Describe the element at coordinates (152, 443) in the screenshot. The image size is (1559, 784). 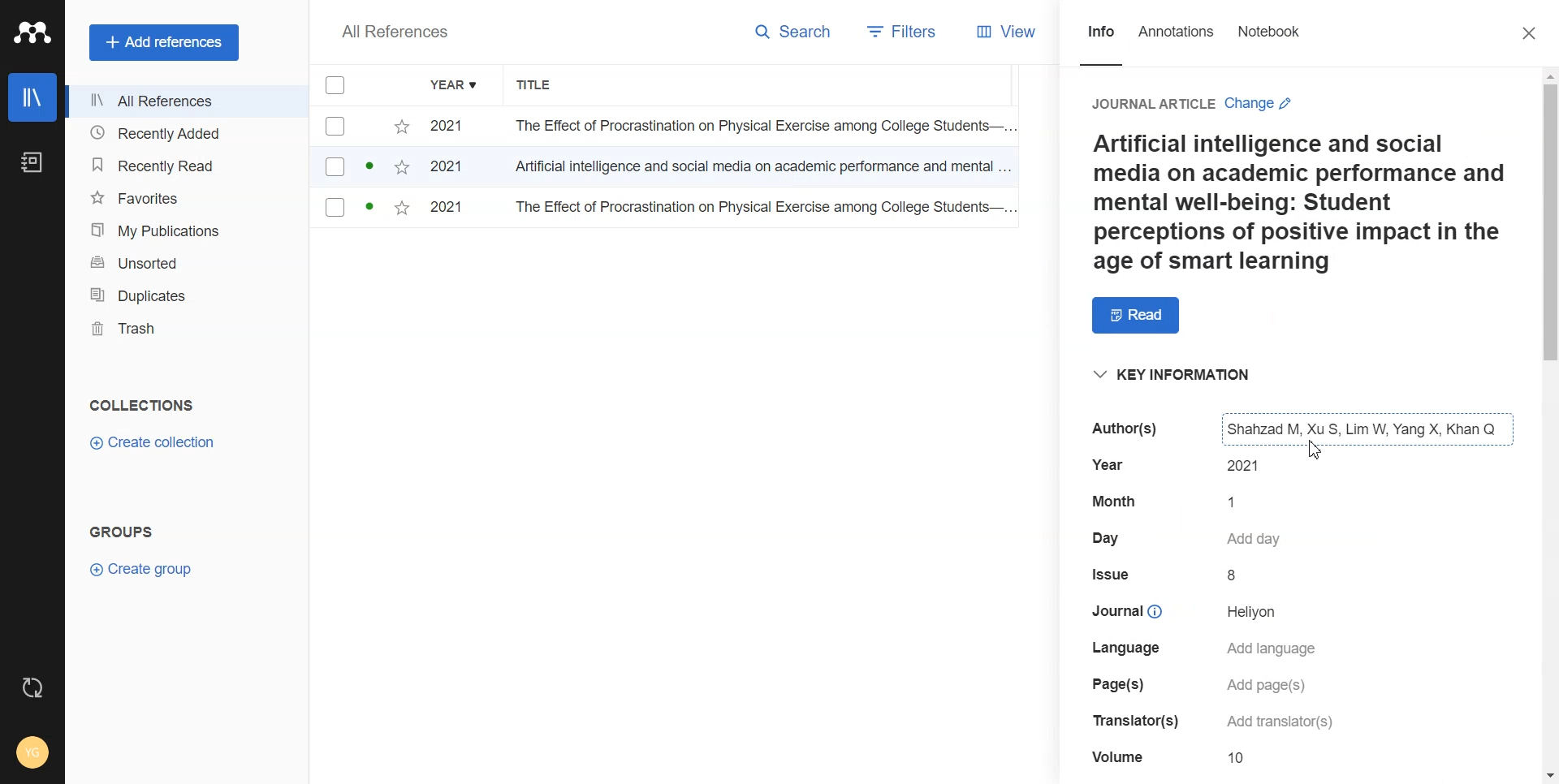
I see `Create collection` at that location.